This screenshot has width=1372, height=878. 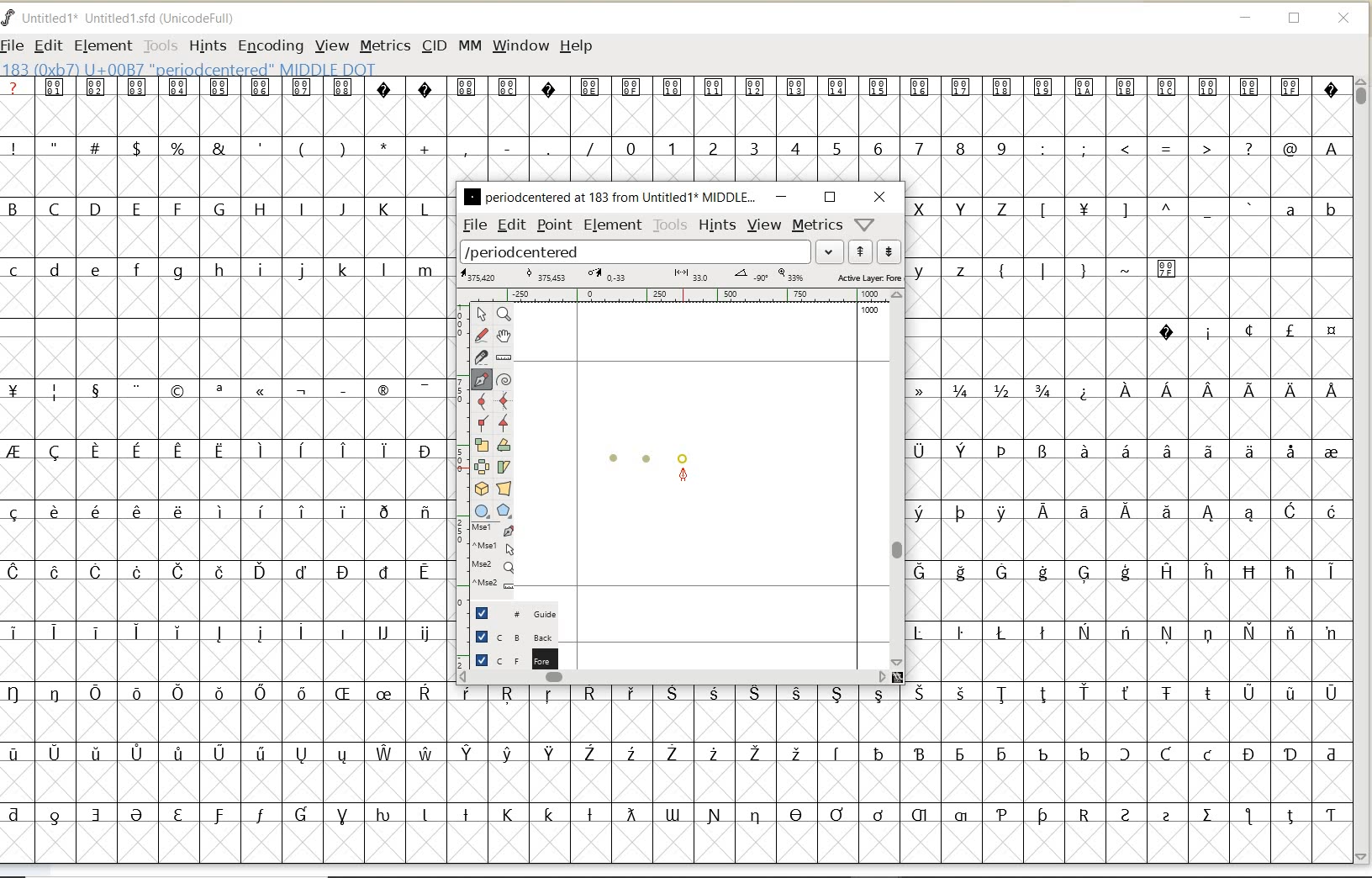 What do you see at coordinates (1310, 213) in the screenshot?
I see `lowercase letters` at bounding box center [1310, 213].